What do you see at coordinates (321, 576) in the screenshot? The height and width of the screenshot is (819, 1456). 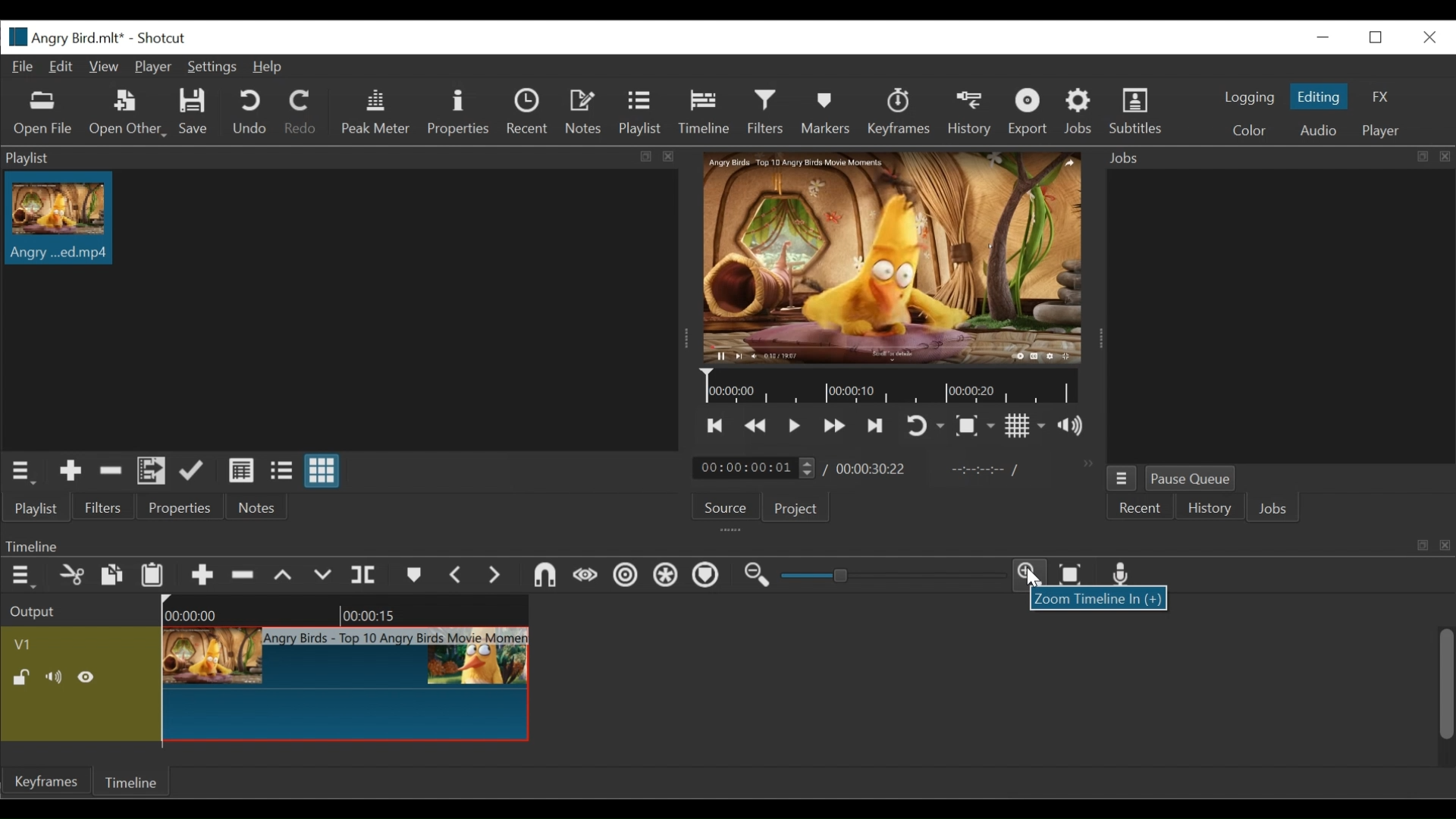 I see `Overwrite` at bounding box center [321, 576].